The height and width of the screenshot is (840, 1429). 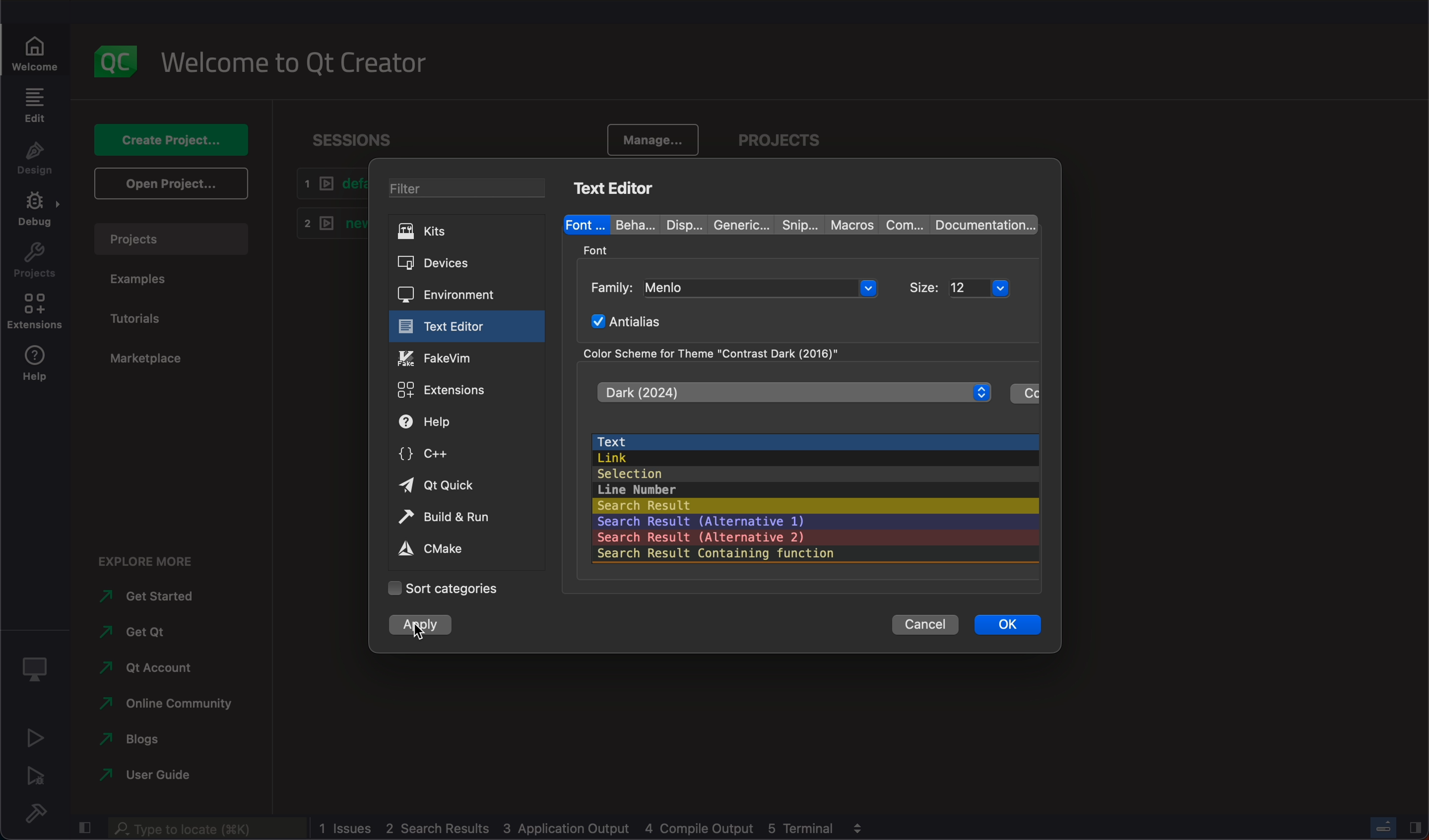 I want to click on size, so click(x=990, y=286).